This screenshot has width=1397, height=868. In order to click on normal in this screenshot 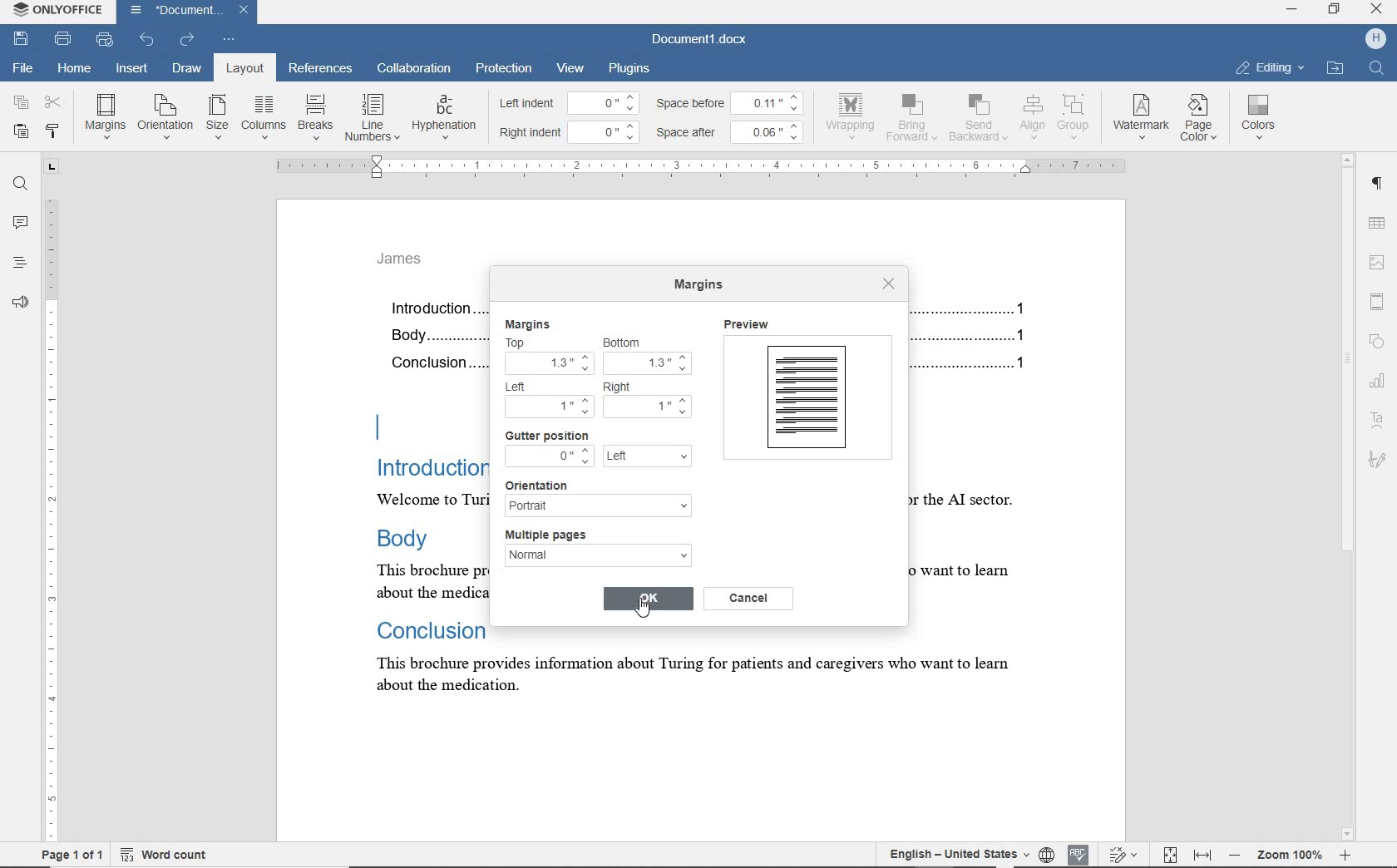, I will do `click(597, 559)`.